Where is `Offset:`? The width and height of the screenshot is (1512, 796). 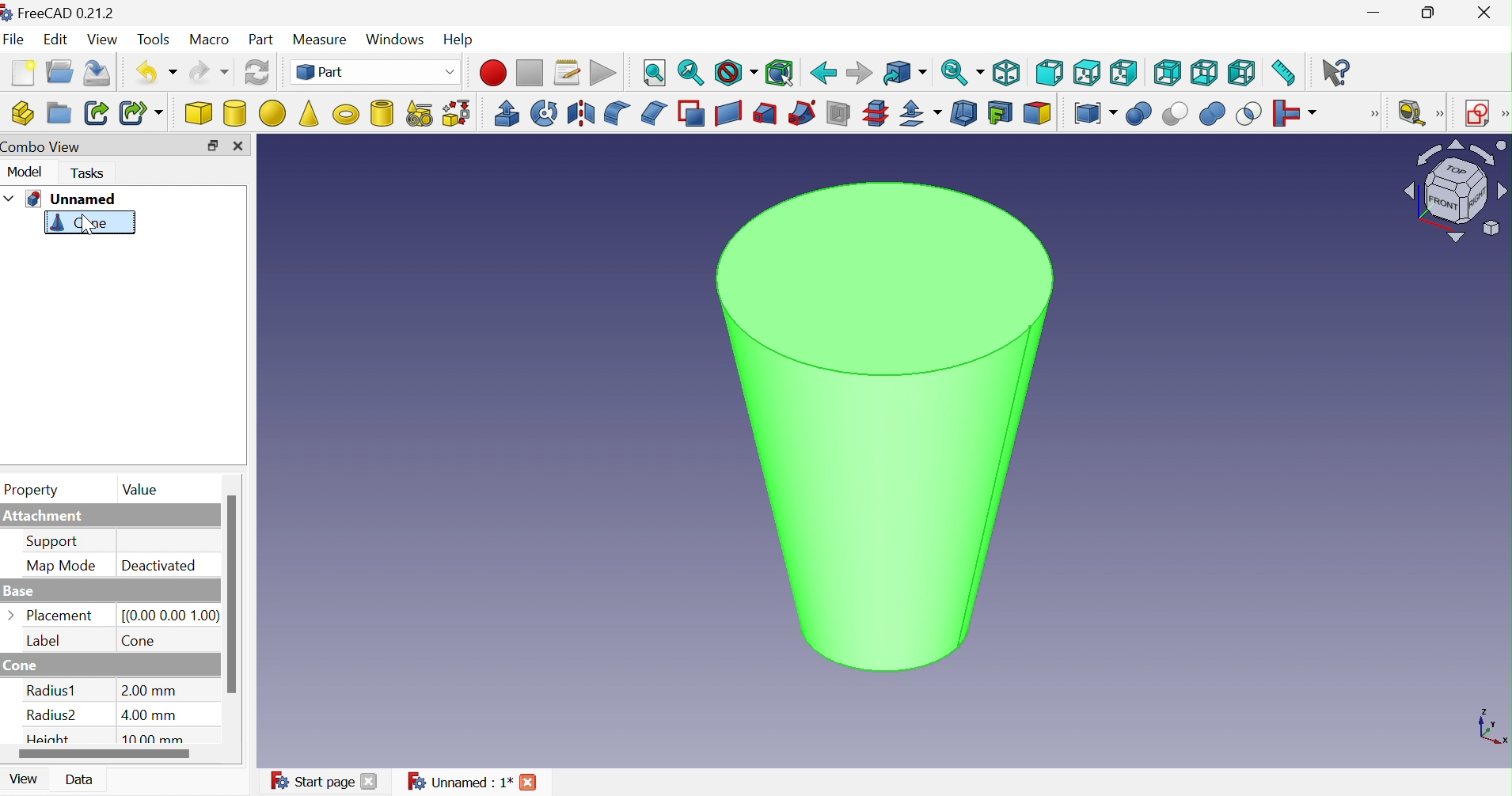 Offset: is located at coordinates (917, 115).